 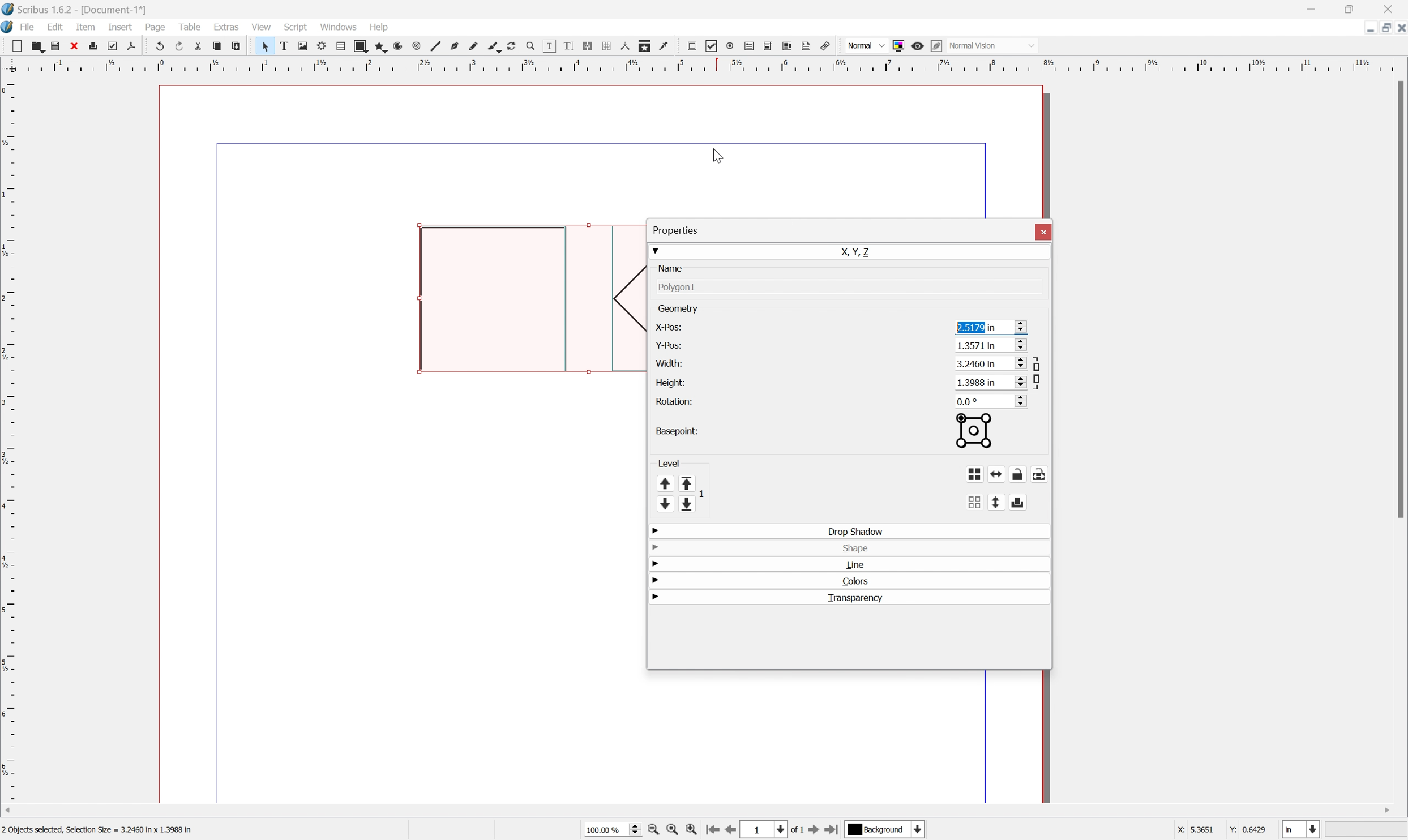 What do you see at coordinates (664, 45) in the screenshot?
I see `Eye dropper` at bounding box center [664, 45].